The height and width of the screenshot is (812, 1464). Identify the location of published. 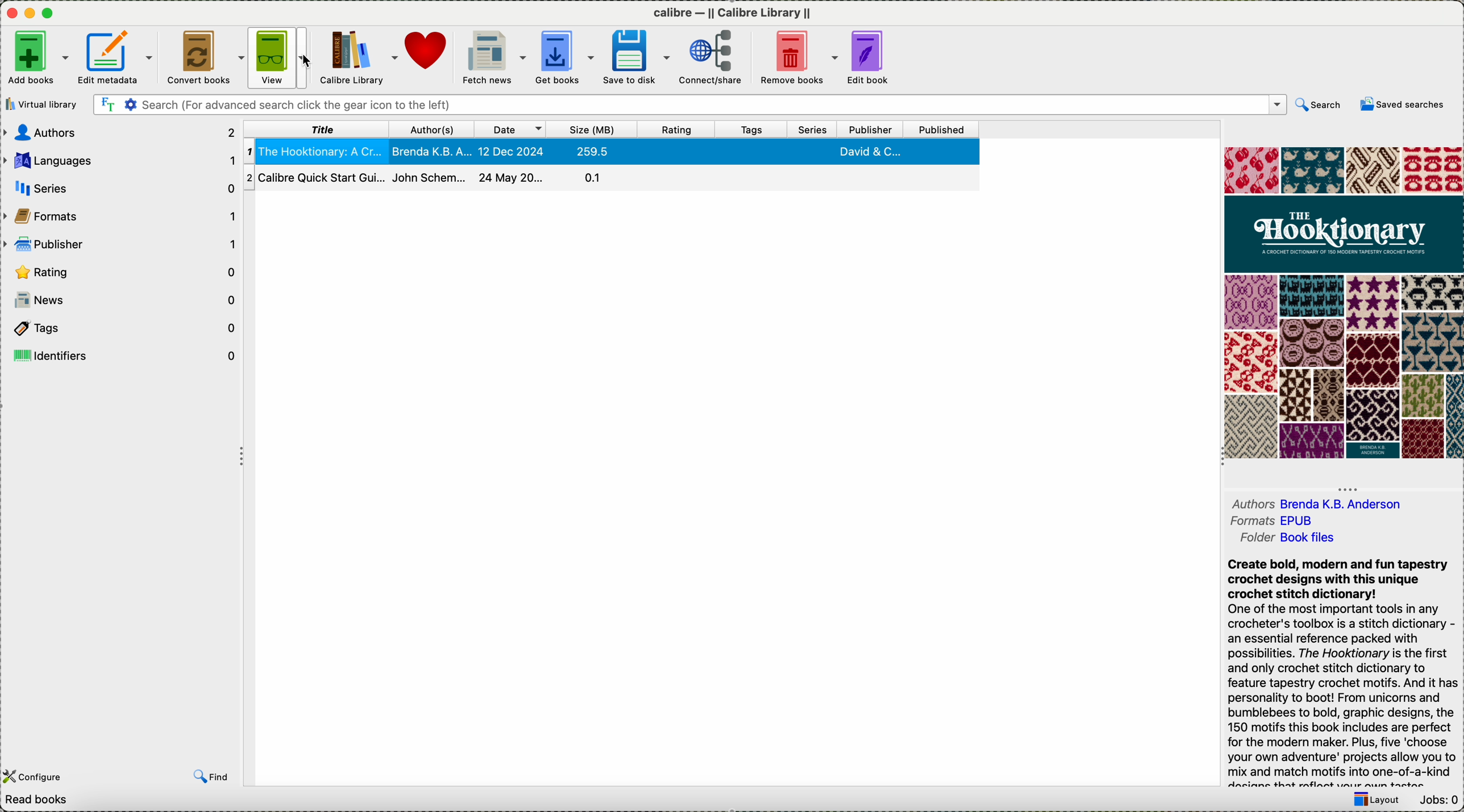
(942, 129).